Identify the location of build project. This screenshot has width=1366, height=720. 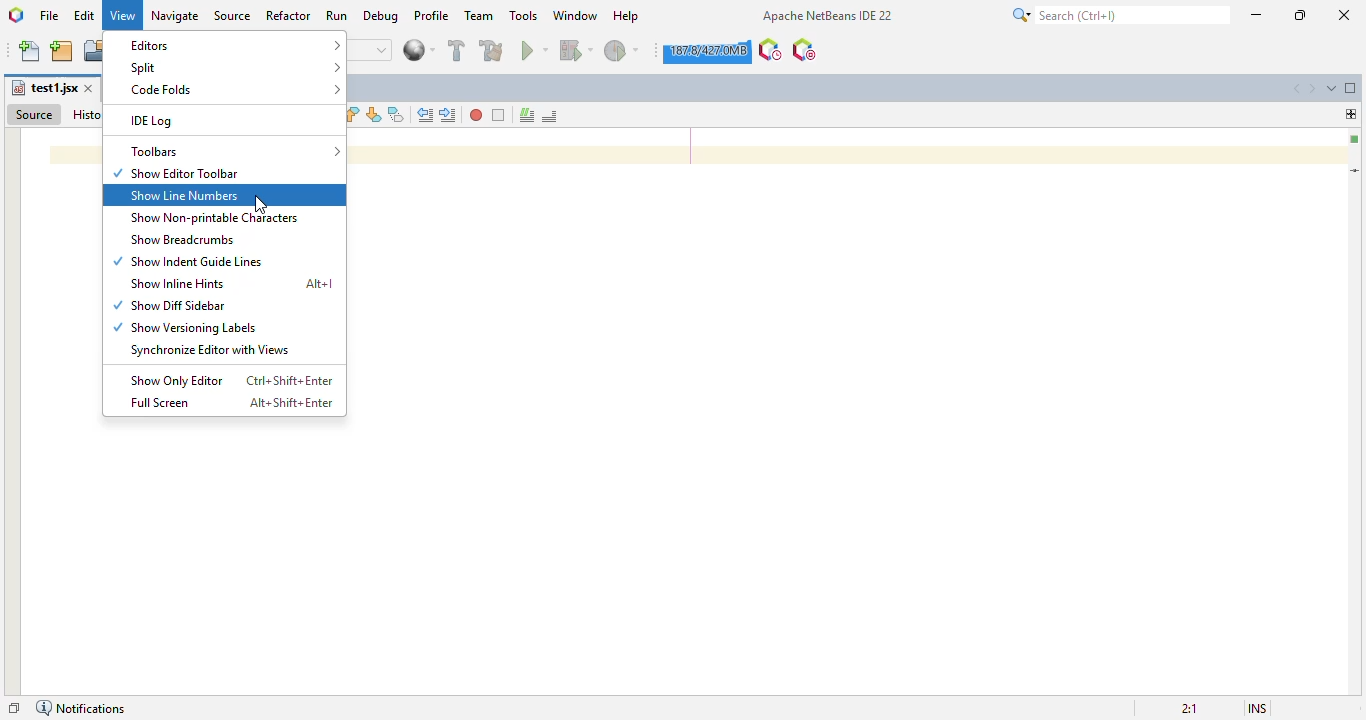
(457, 50).